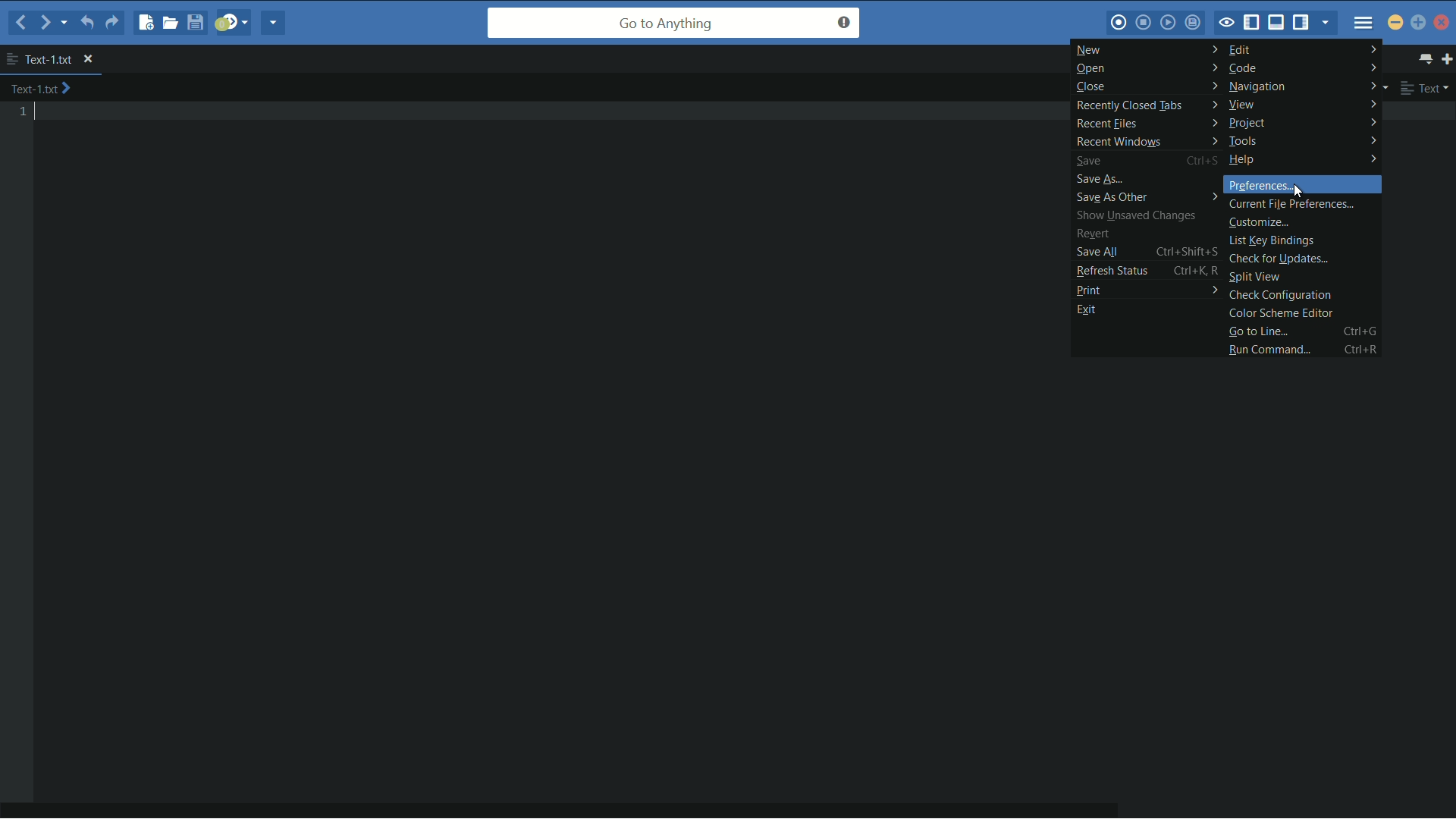 Image resolution: width=1456 pixels, height=819 pixels. I want to click on minimize, so click(1395, 21).